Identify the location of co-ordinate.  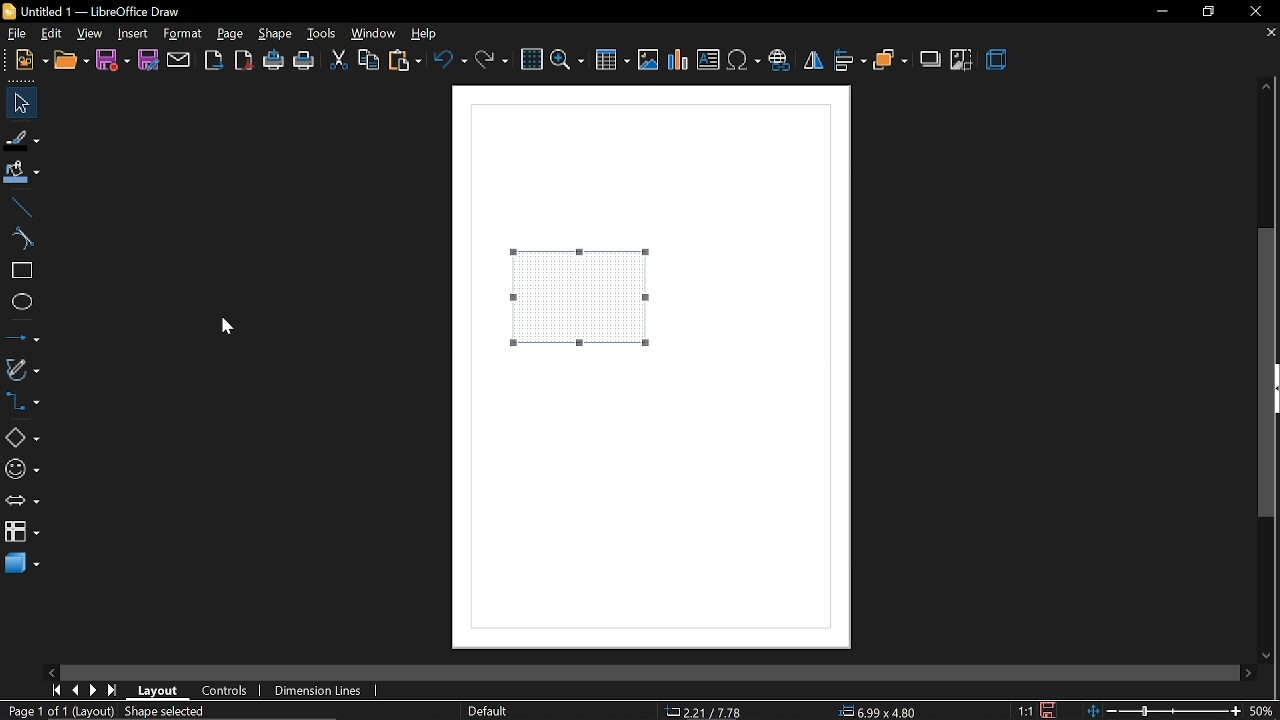
(706, 712).